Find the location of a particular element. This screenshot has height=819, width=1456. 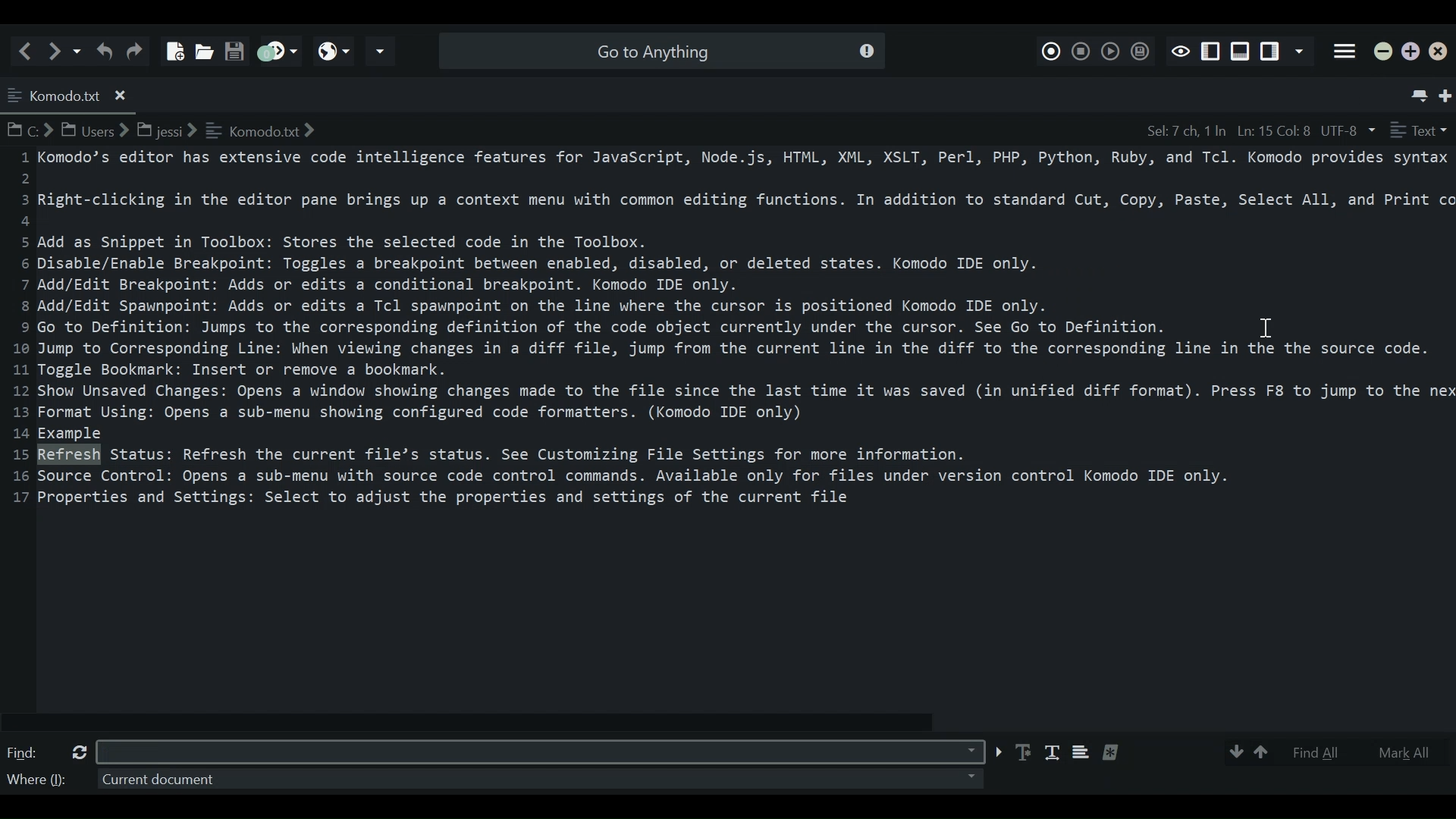

View in browser is located at coordinates (334, 51).